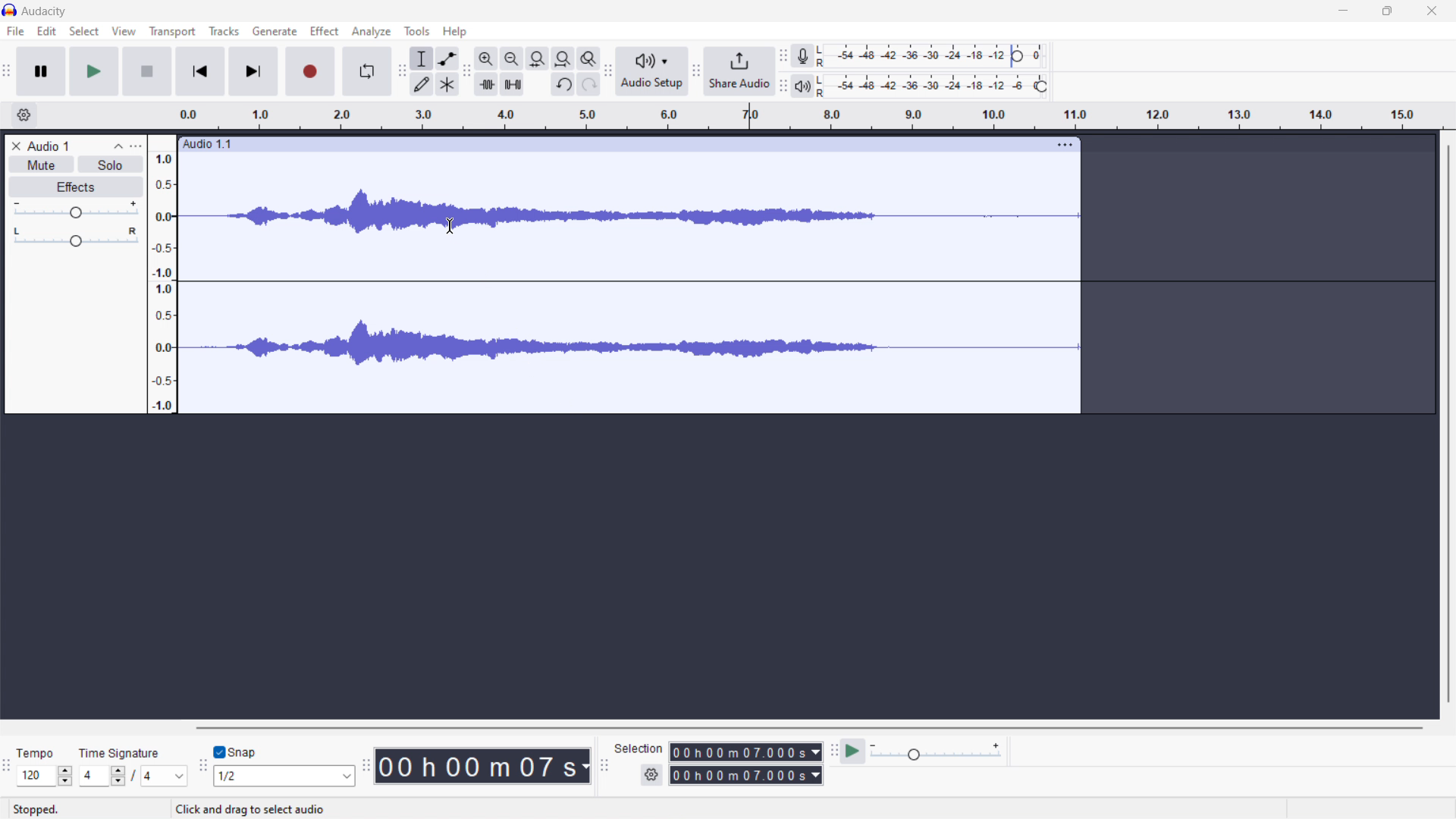  I want to click on transport, so click(173, 32).